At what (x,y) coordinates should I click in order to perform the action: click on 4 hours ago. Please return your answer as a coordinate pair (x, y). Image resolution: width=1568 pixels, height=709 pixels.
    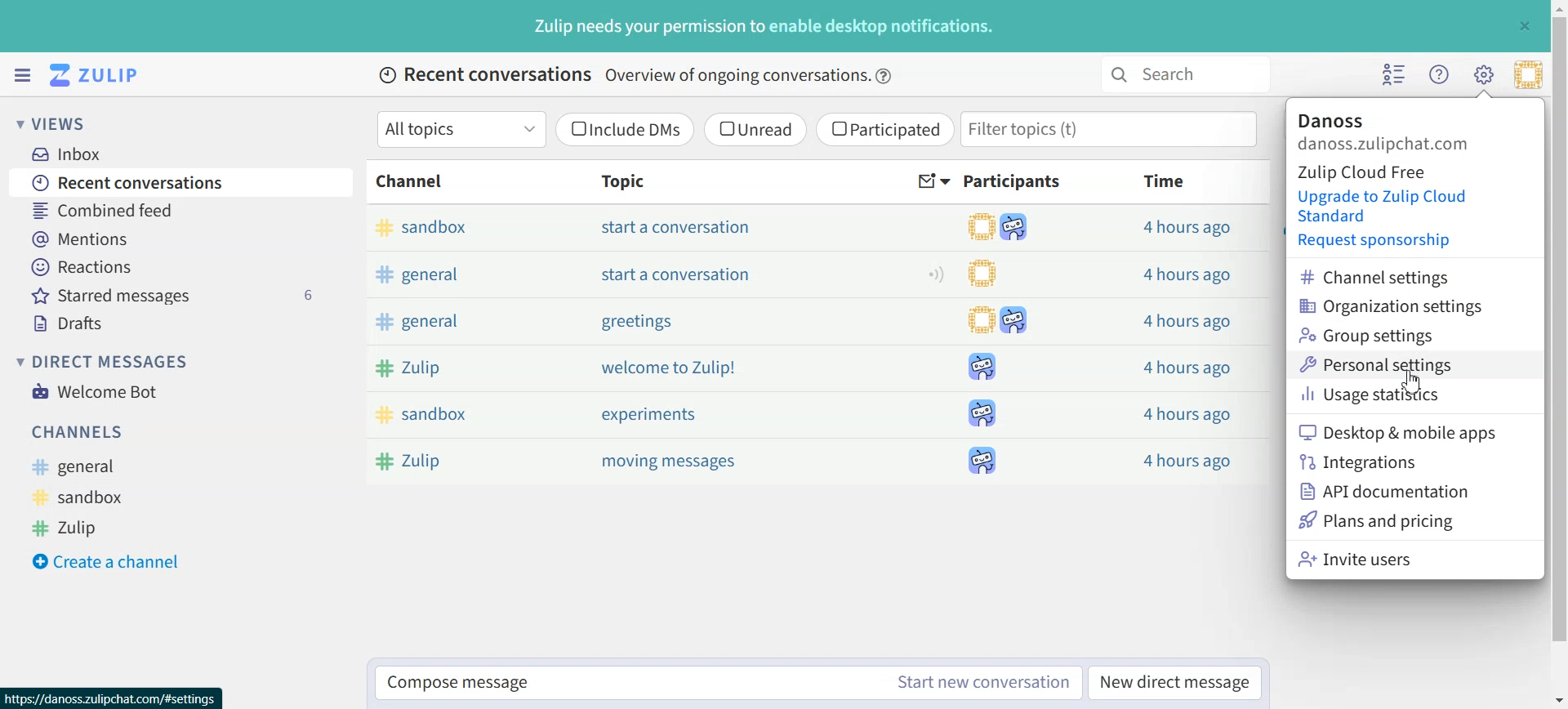
    Looking at the image, I should click on (1187, 457).